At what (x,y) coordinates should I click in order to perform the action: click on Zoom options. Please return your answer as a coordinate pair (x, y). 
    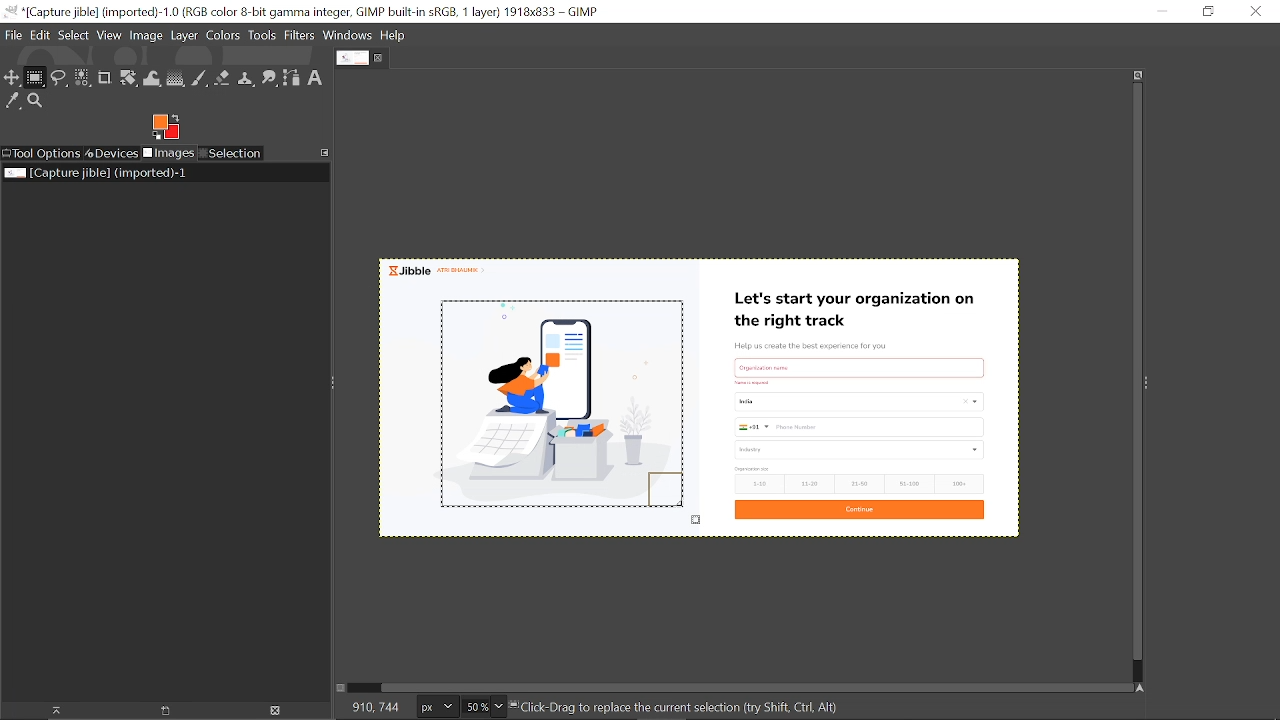
    Looking at the image, I should click on (501, 707).